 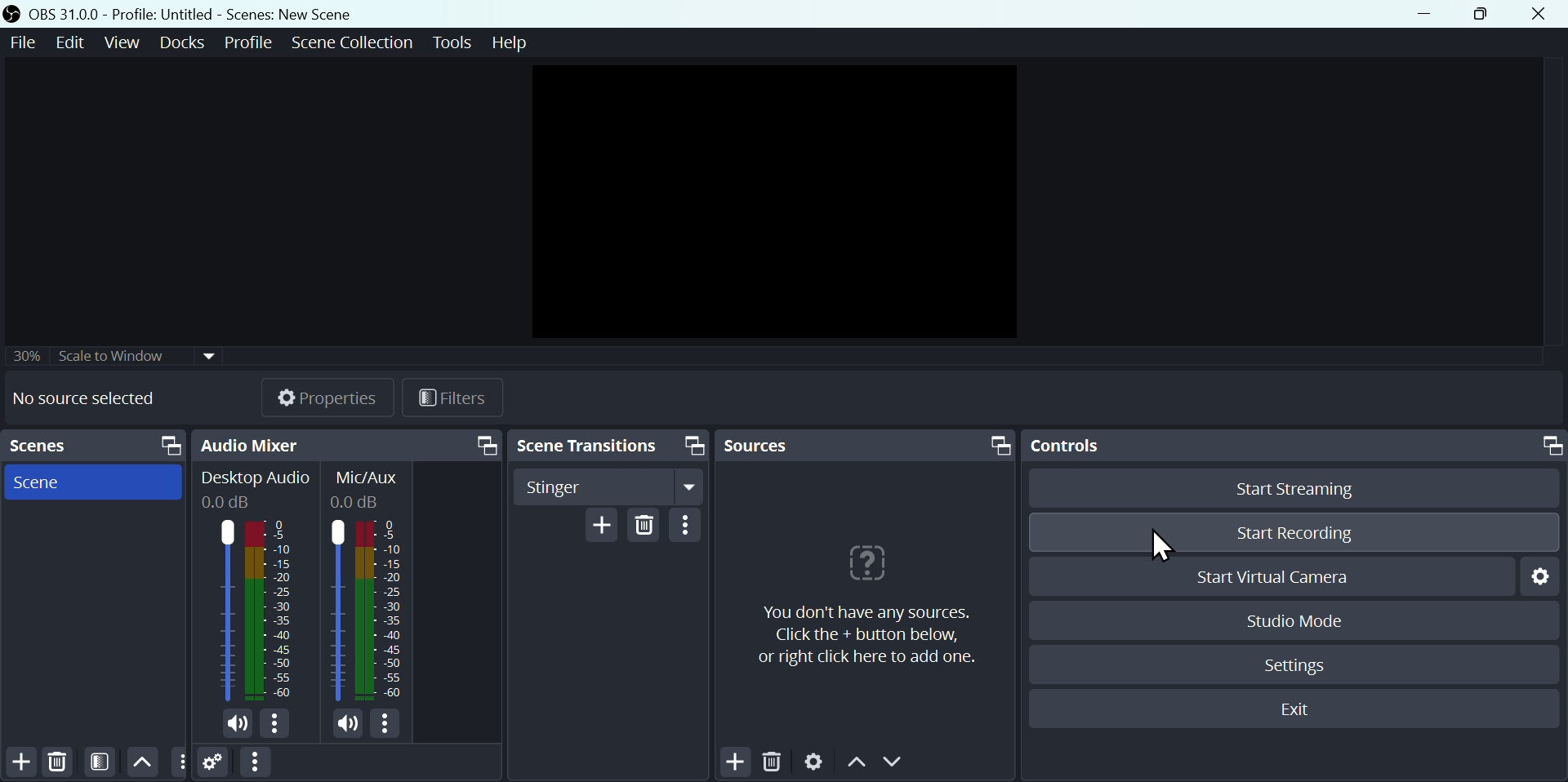 I want to click on Controls, so click(x=1069, y=447).